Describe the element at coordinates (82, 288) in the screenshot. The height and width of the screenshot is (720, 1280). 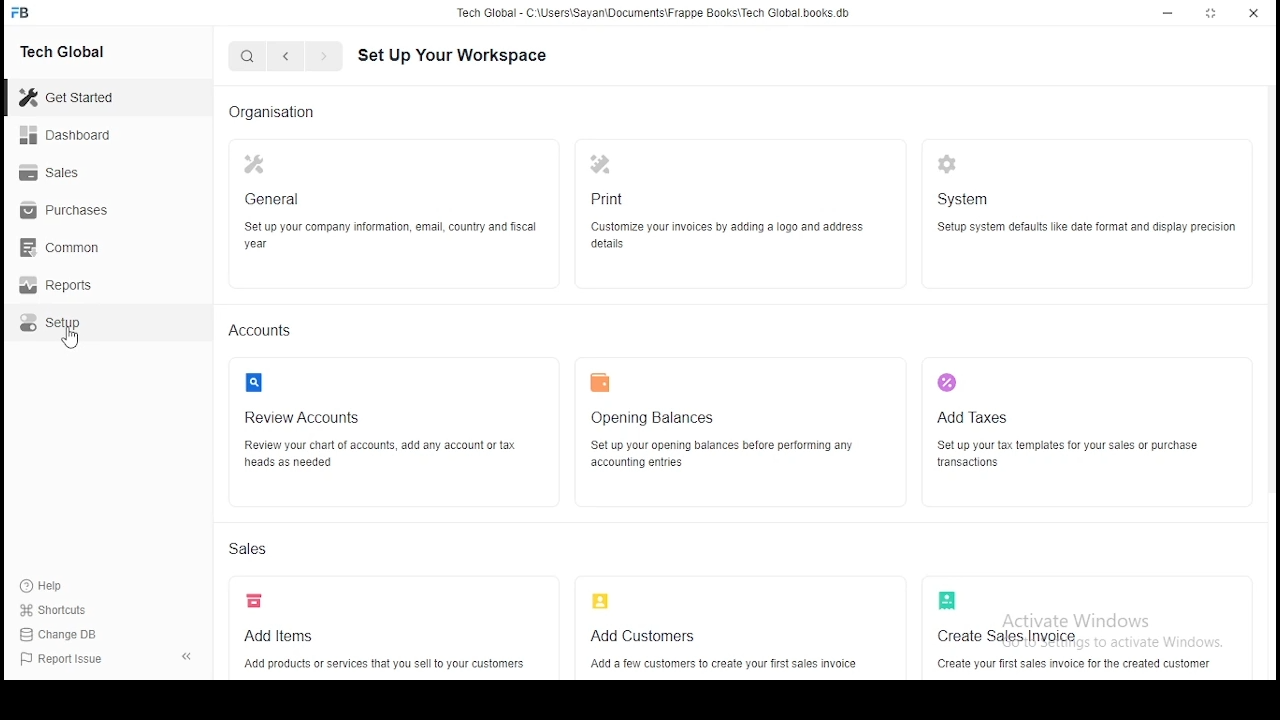
I see `Reports ` at that location.